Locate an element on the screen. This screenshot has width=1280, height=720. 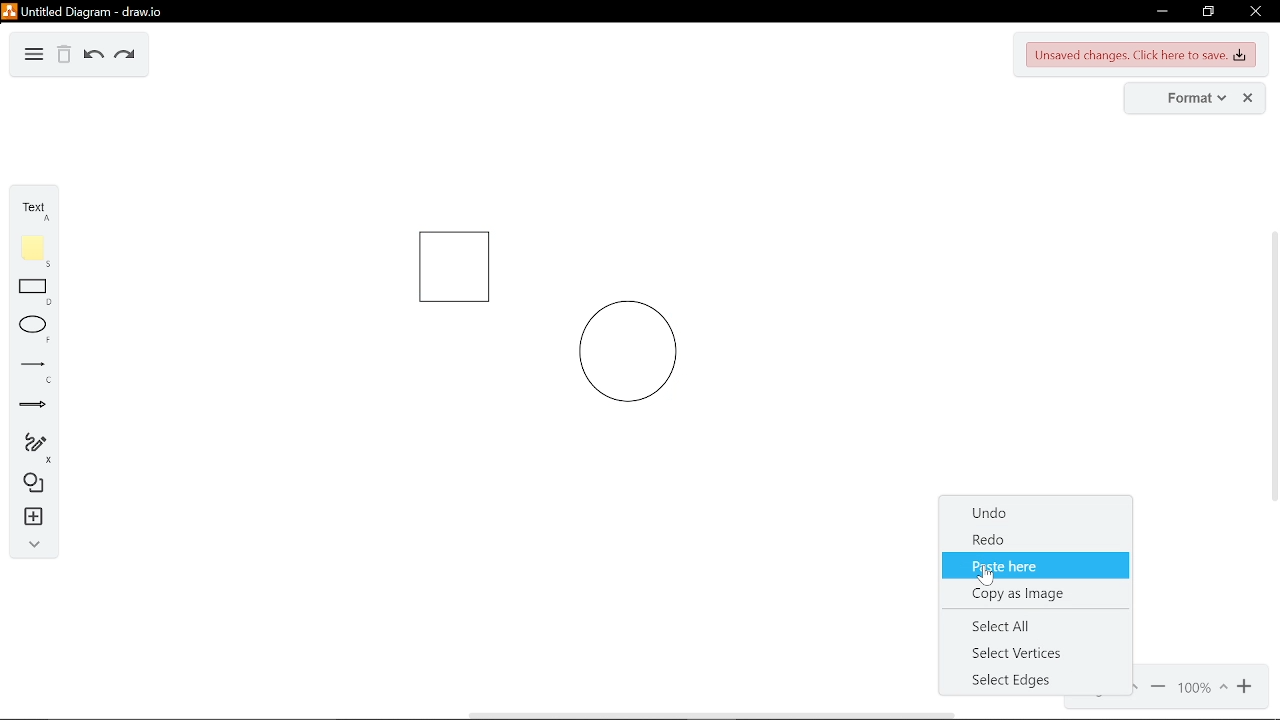
close format is located at coordinates (1249, 98).